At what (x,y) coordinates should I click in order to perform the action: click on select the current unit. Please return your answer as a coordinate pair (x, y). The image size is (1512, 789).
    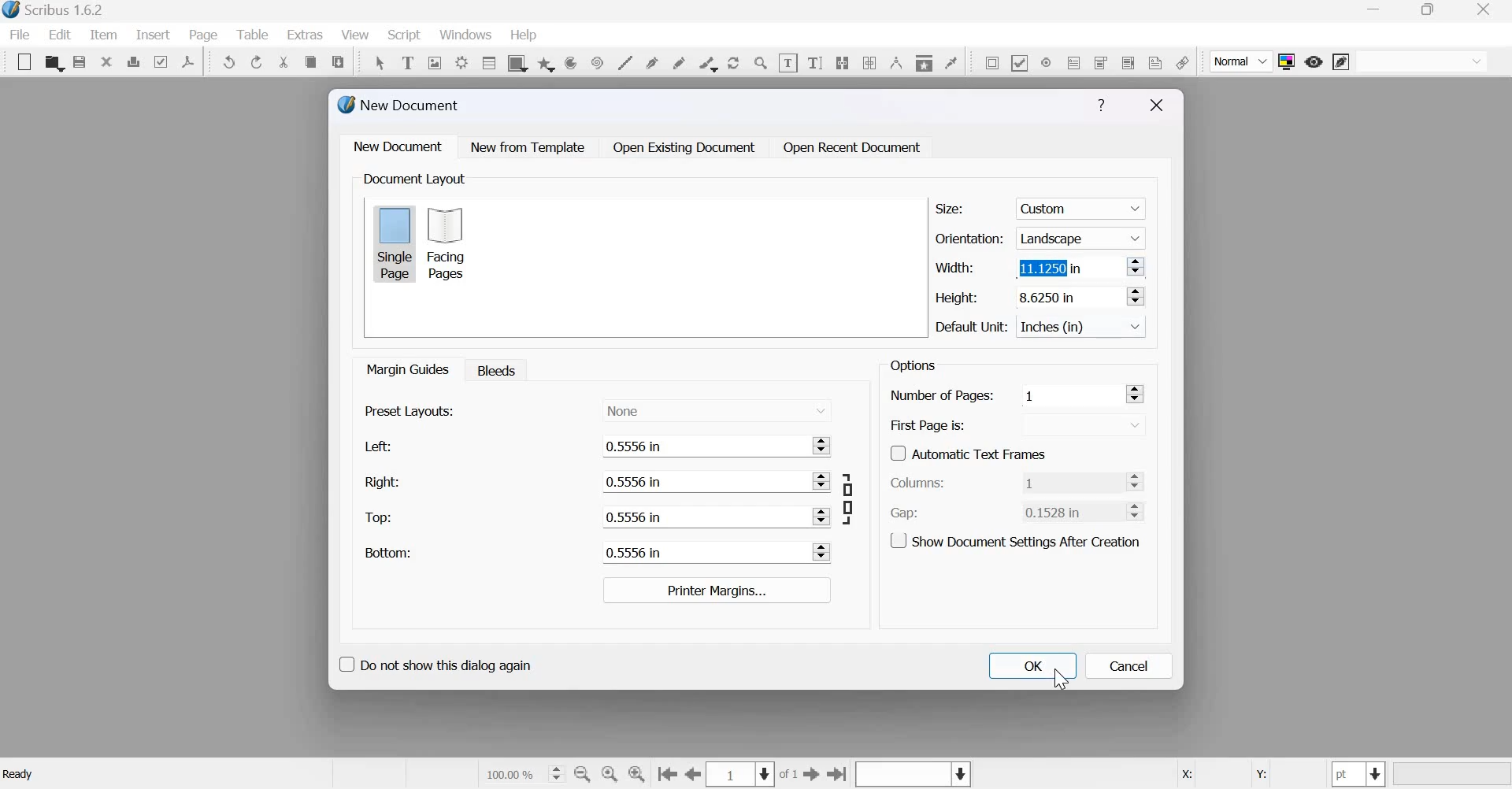
    Looking at the image, I should click on (1359, 774).